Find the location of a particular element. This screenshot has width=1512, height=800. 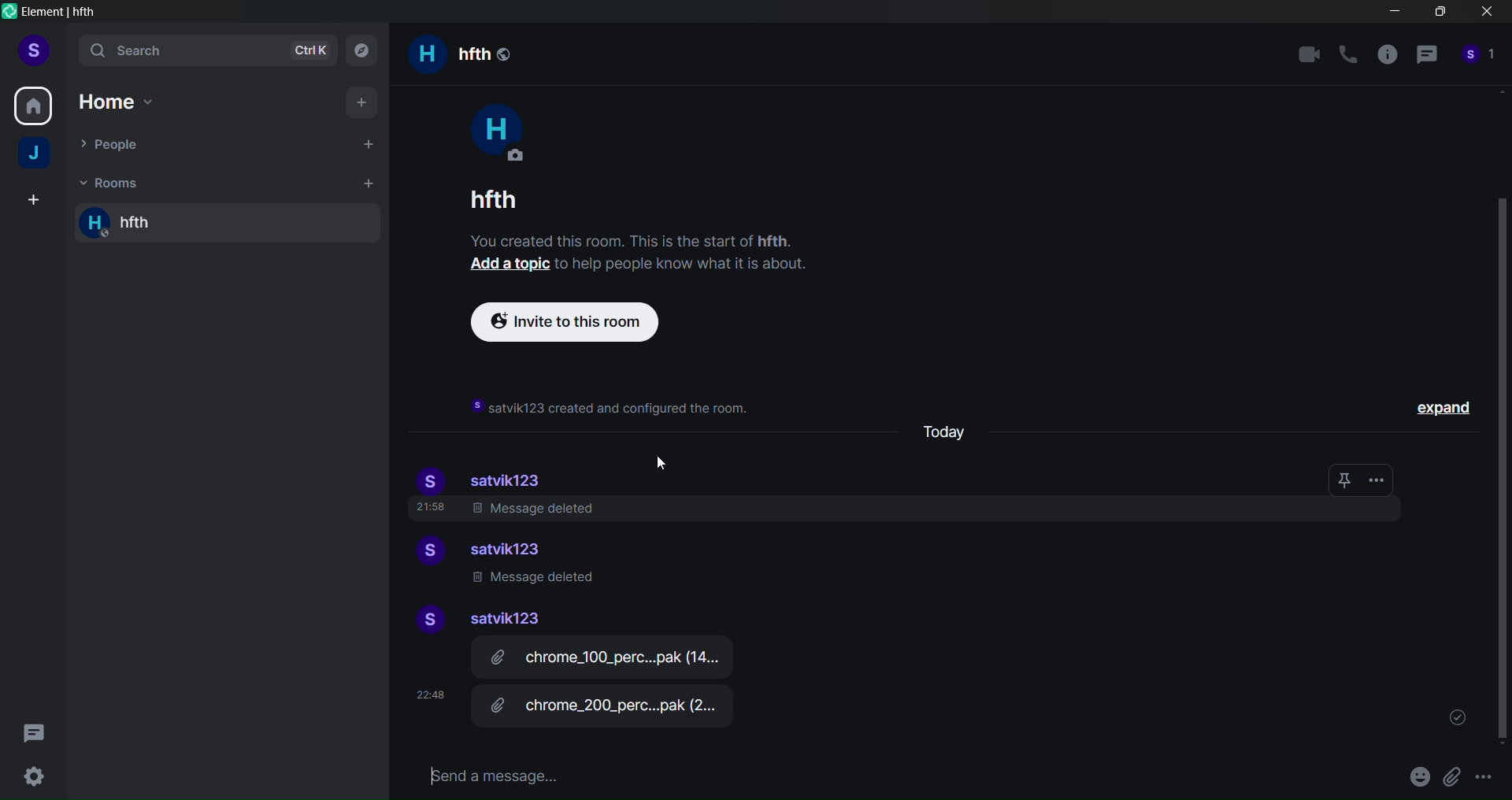

time is located at coordinates (424, 691).